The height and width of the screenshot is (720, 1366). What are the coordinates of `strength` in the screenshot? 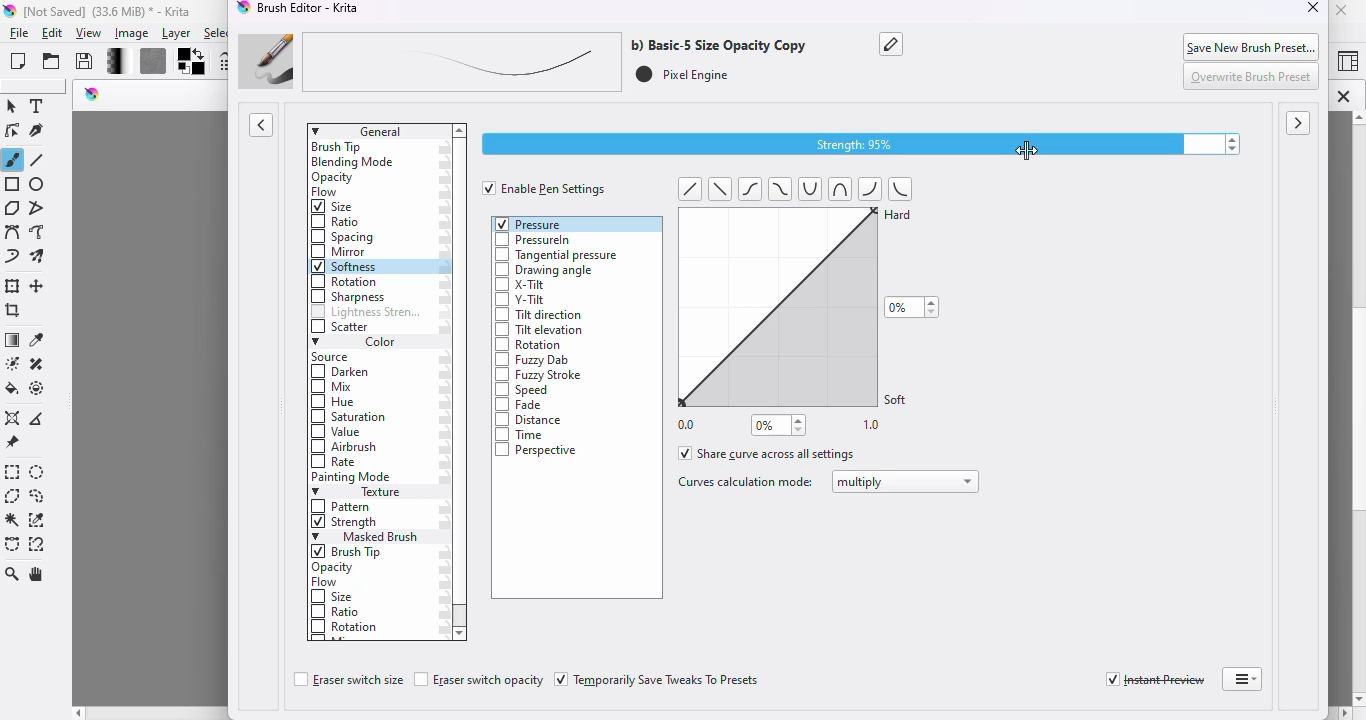 It's located at (345, 524).